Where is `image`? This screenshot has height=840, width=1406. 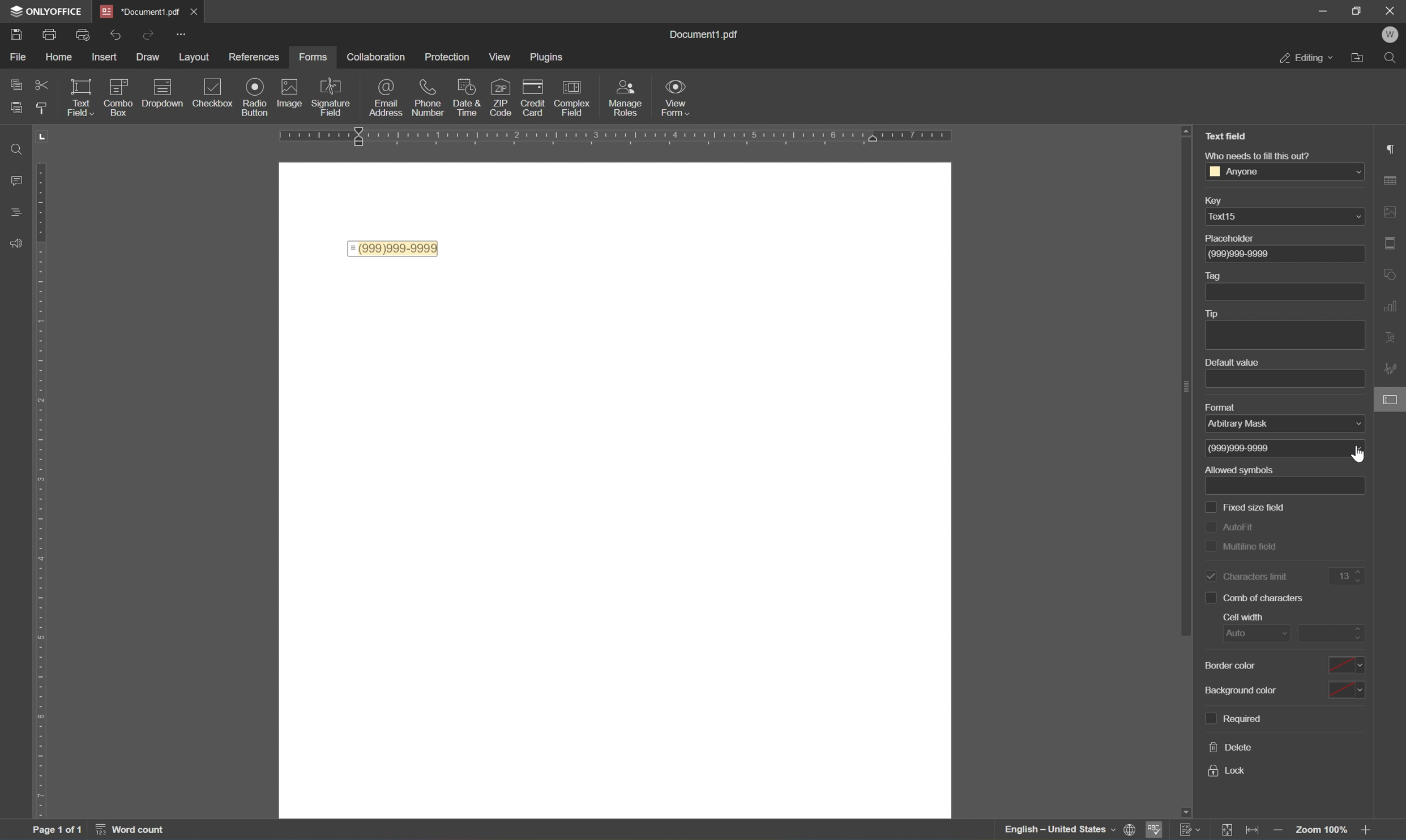 image is located at coordinates (292, 95).